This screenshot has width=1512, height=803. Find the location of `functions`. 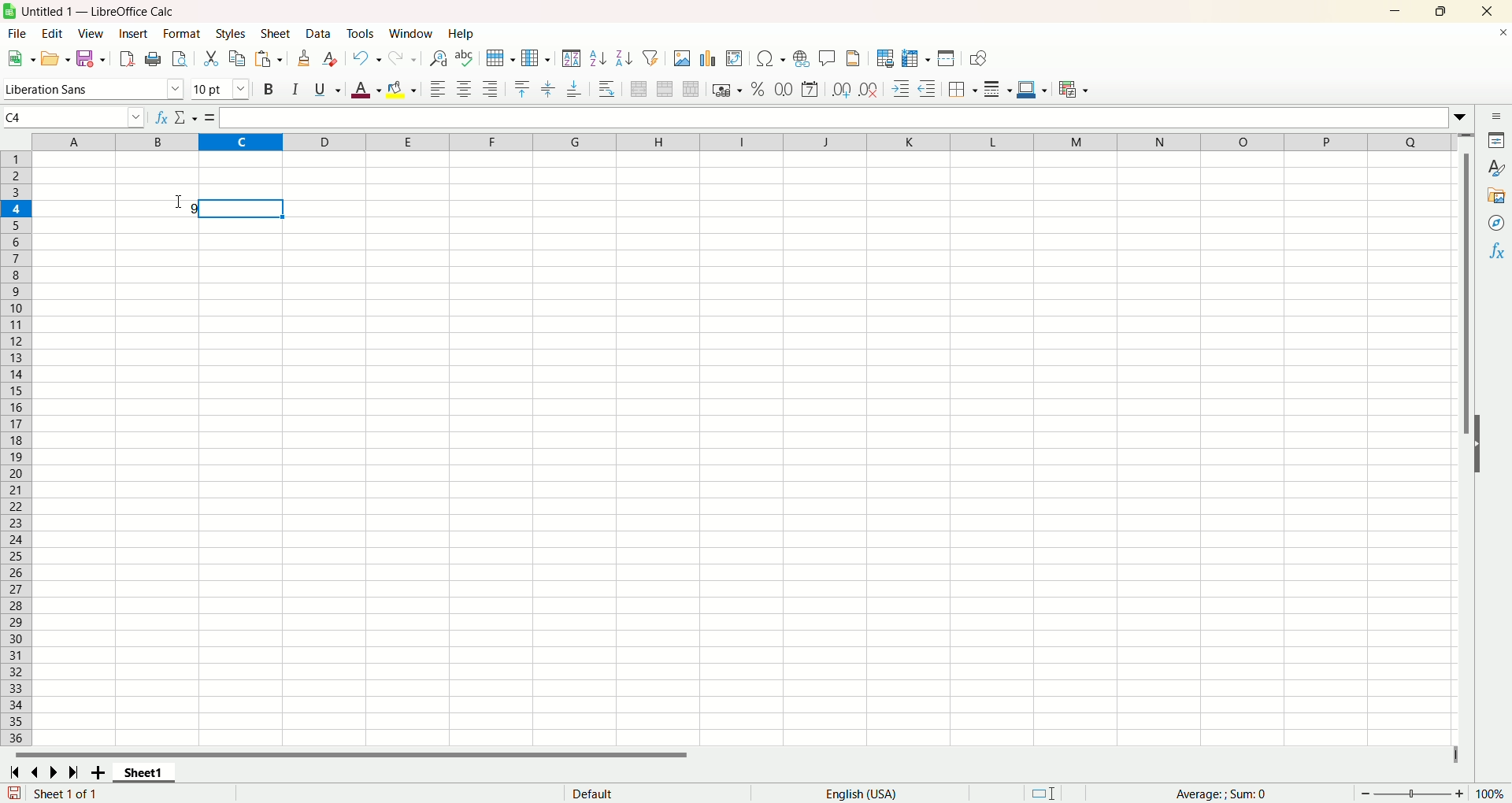

functions is located at coordinates (1230, 794).